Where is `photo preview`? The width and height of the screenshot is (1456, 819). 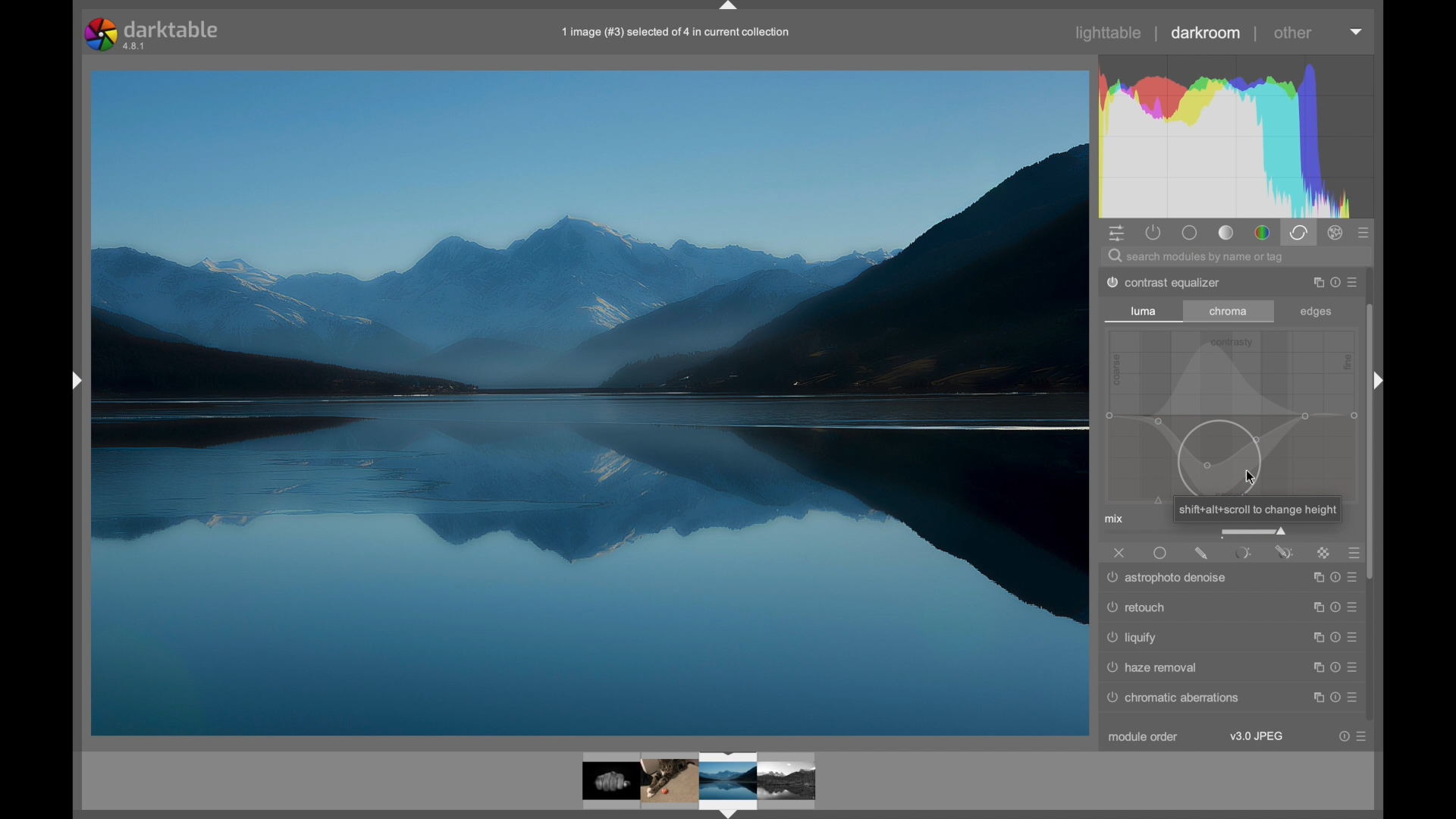 photo preview is located at coordinates (700, 782).